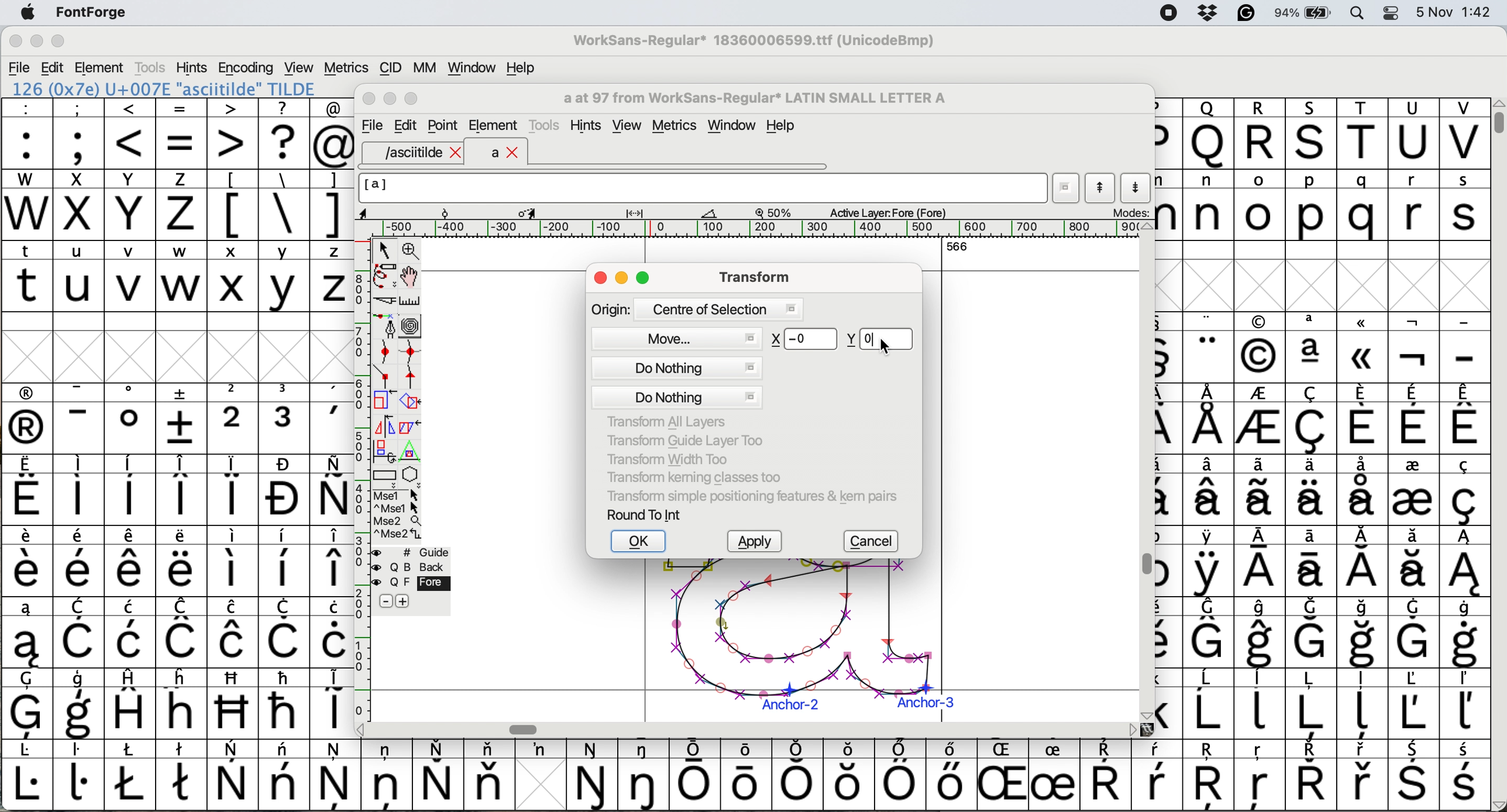 The height and width of the screenshot is (812, 1507). I want to click on zoom scale, so click(777, 212).